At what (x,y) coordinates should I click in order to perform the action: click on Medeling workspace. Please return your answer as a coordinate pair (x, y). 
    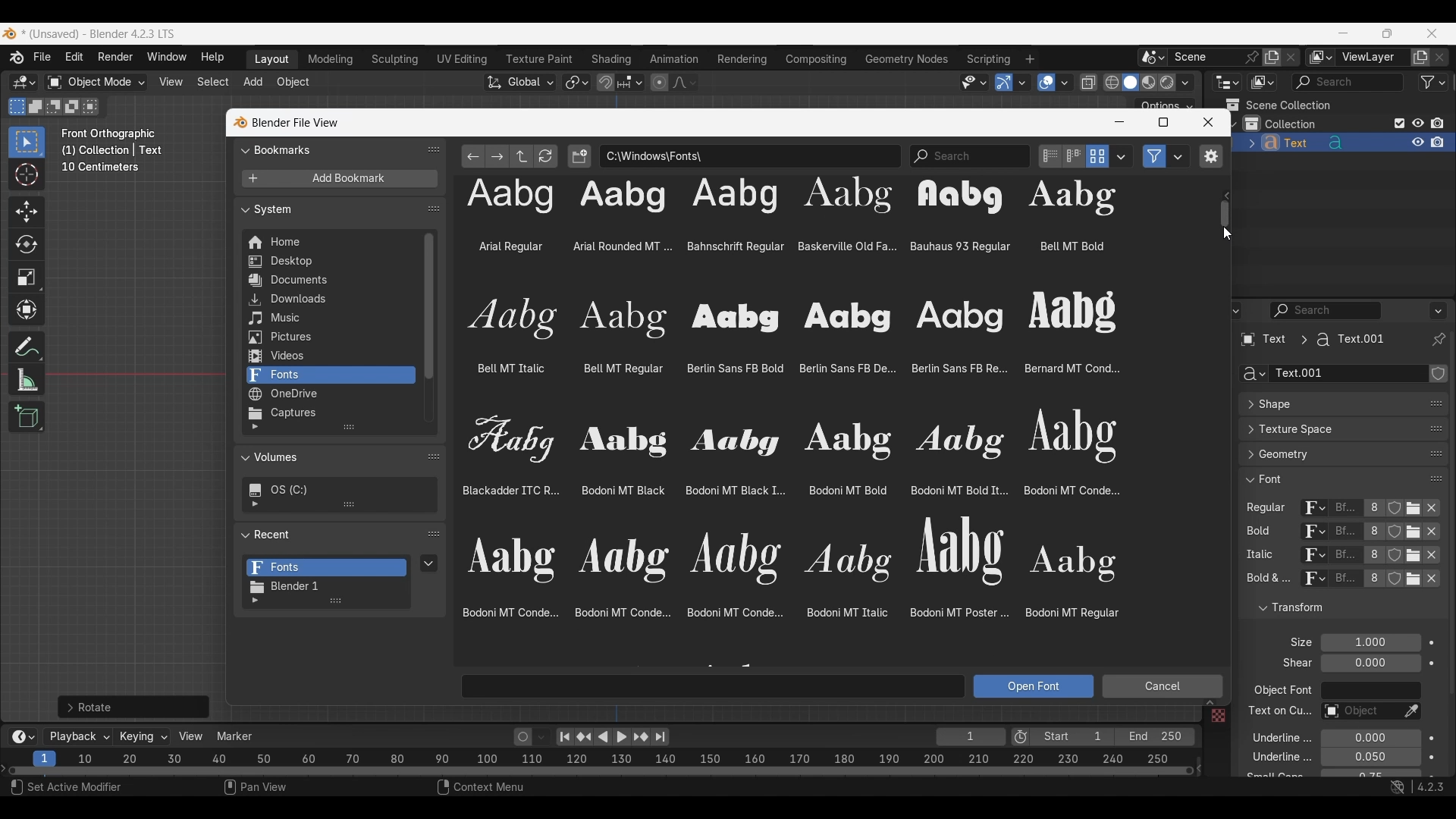
    Looking at the image, I should click on (331, 60).